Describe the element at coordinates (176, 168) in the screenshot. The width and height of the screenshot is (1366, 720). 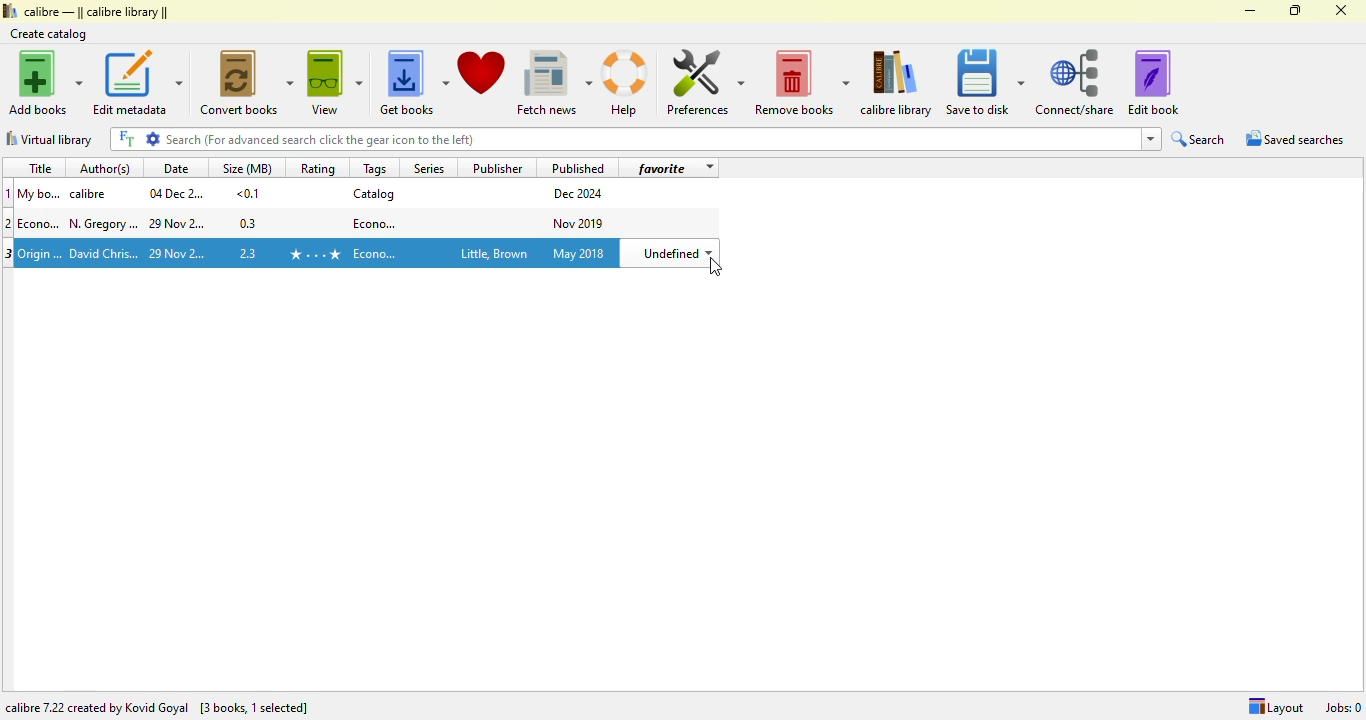
I see `date` at that location.